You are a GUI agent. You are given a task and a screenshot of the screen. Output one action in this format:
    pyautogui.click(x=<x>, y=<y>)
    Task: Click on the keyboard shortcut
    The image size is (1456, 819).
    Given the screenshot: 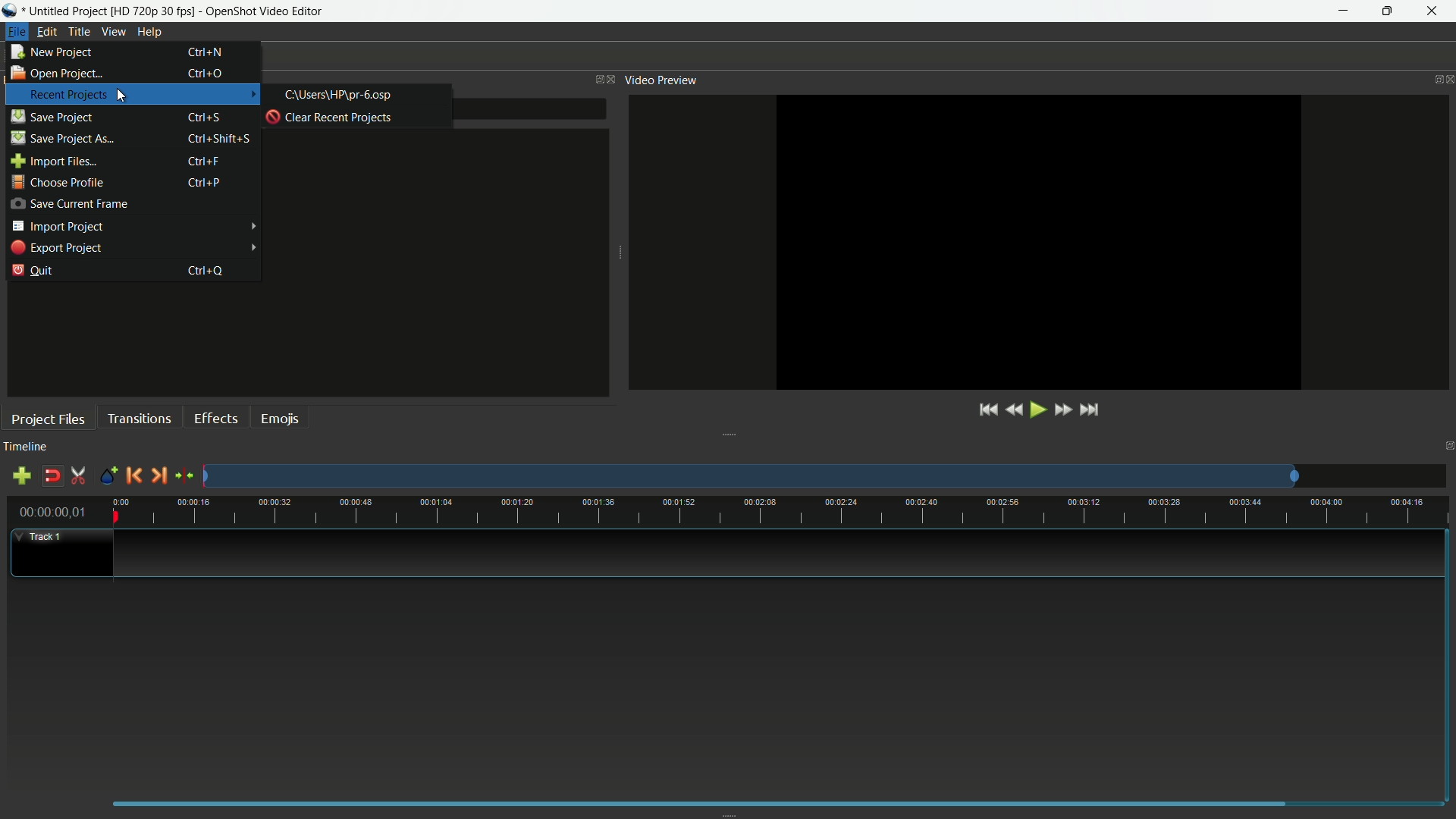 What is the action you would take?
    pyautogui.click(x=206, y=118)
    